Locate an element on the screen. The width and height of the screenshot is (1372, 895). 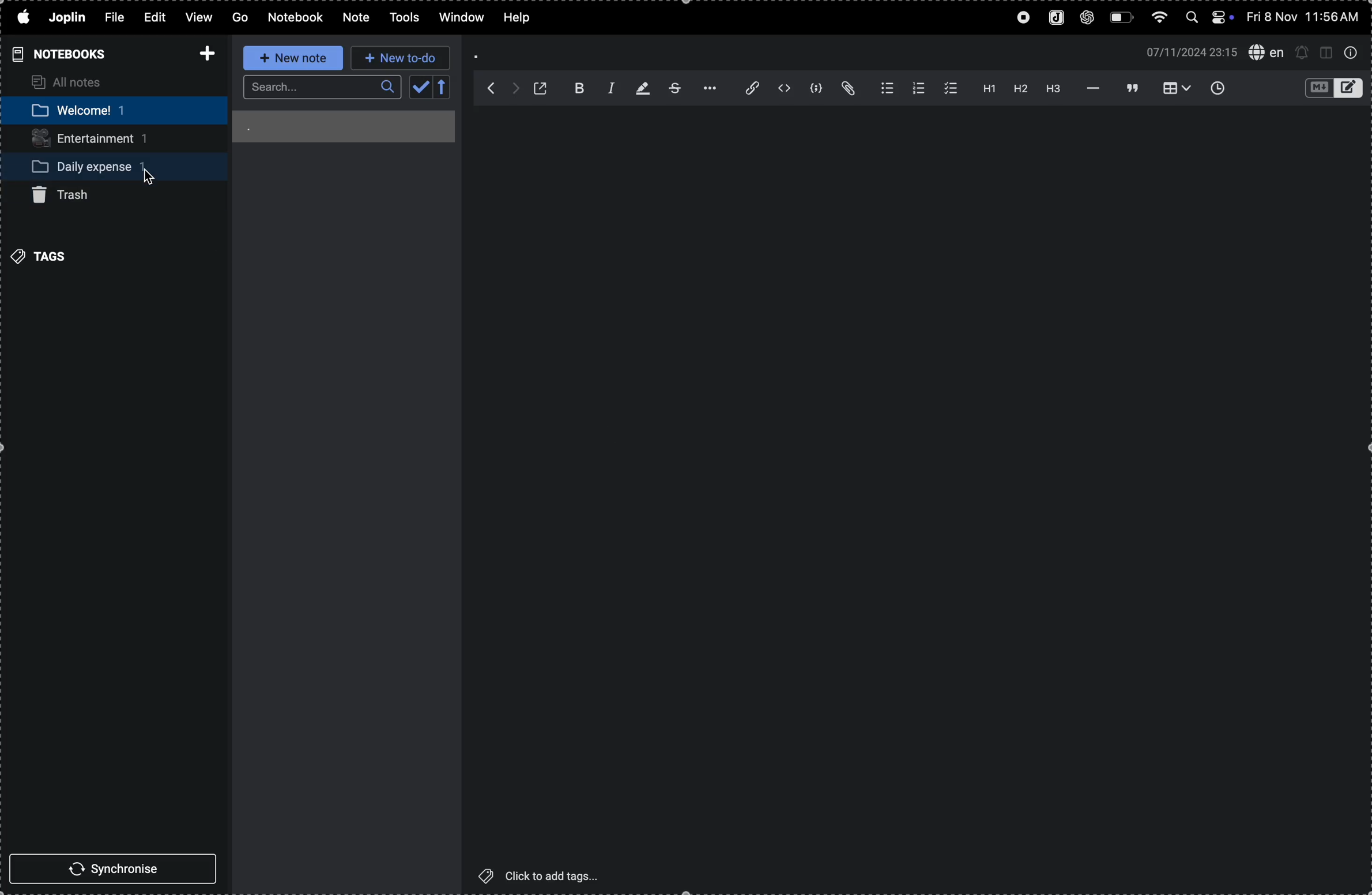
info is located at coordinates (1351, 53).